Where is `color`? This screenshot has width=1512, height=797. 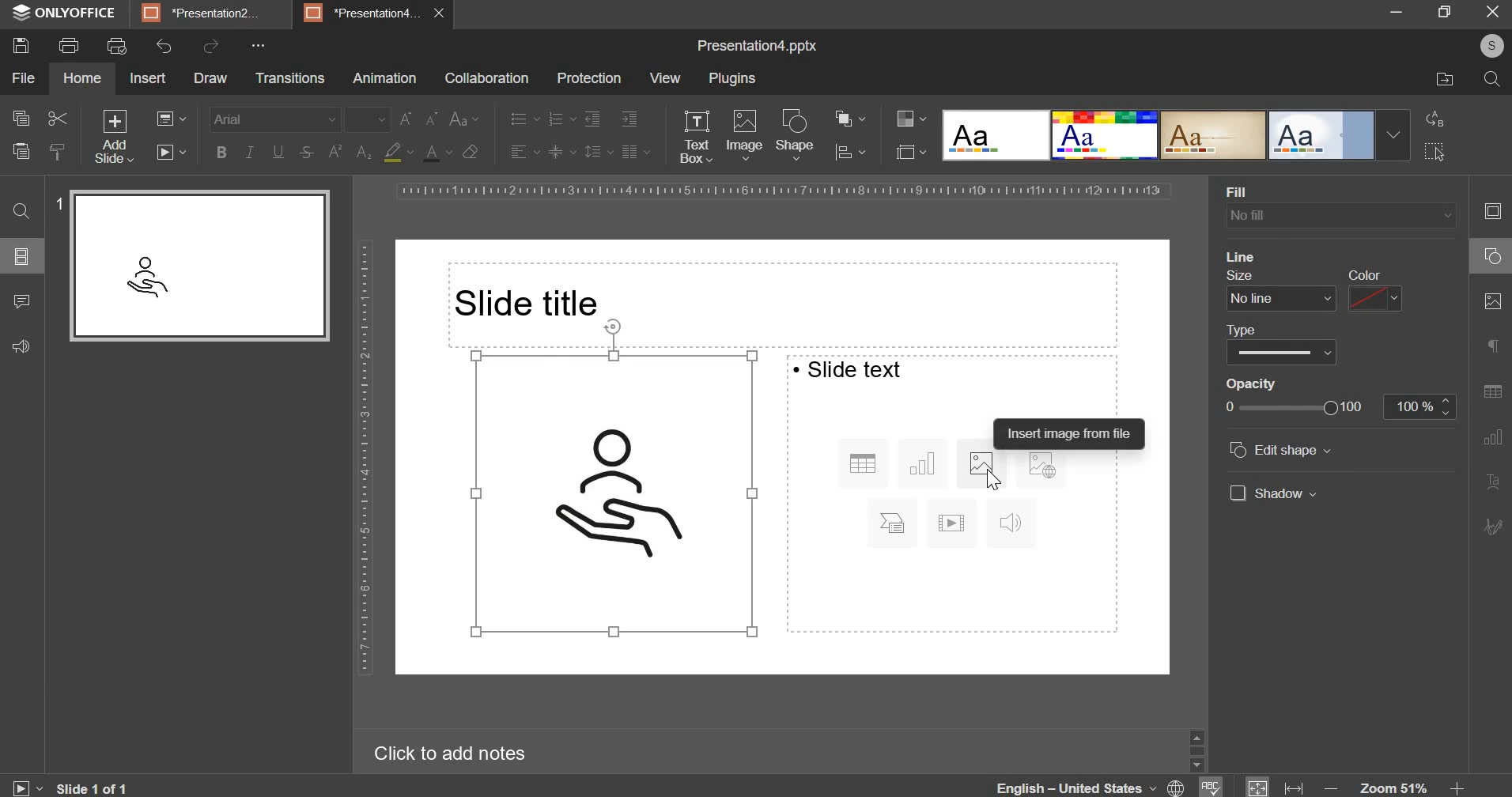 color is located at coordinates (1374, 271).